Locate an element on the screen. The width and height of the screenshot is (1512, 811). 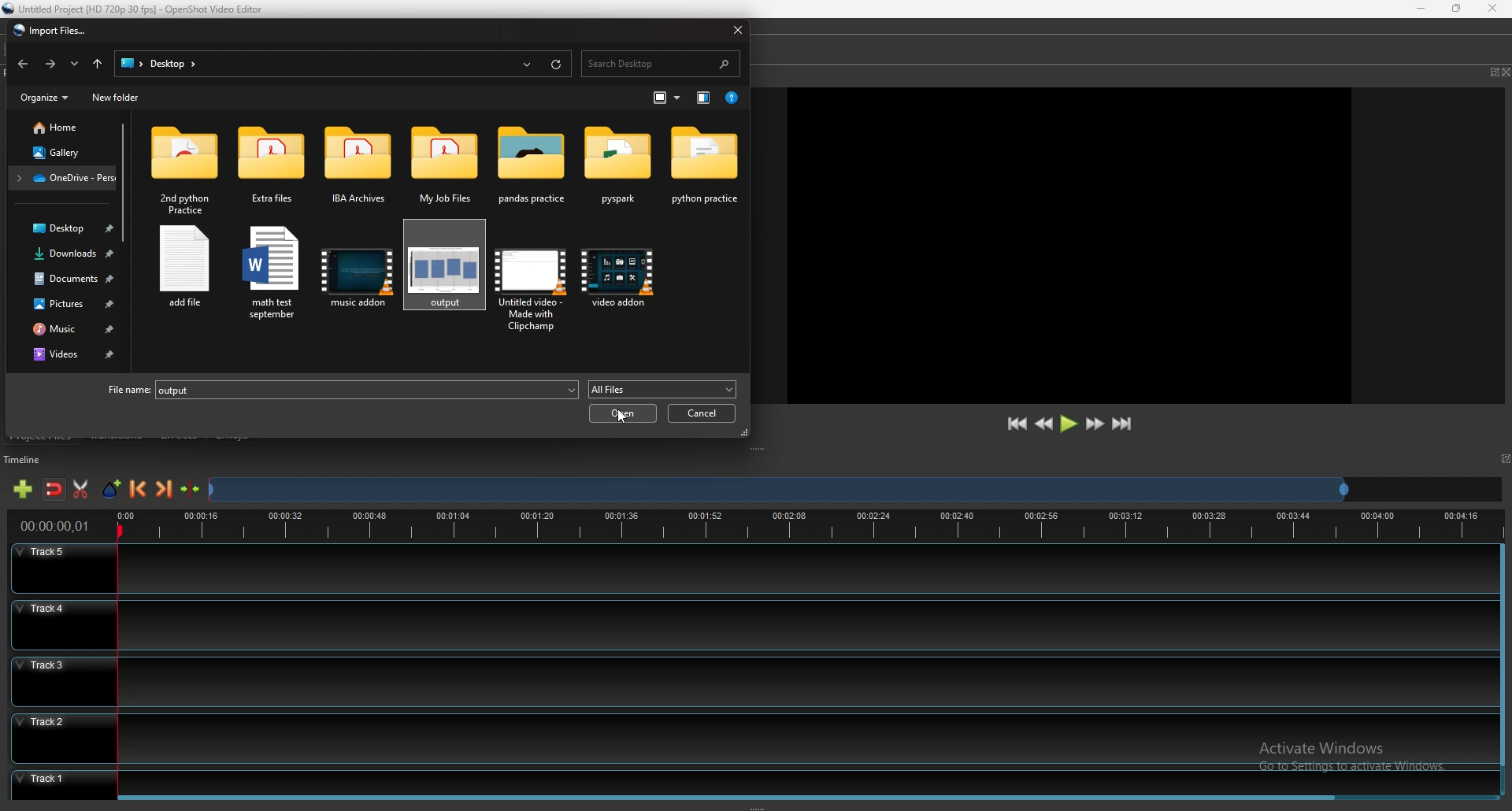
folder is located at coordinates (359, 168).